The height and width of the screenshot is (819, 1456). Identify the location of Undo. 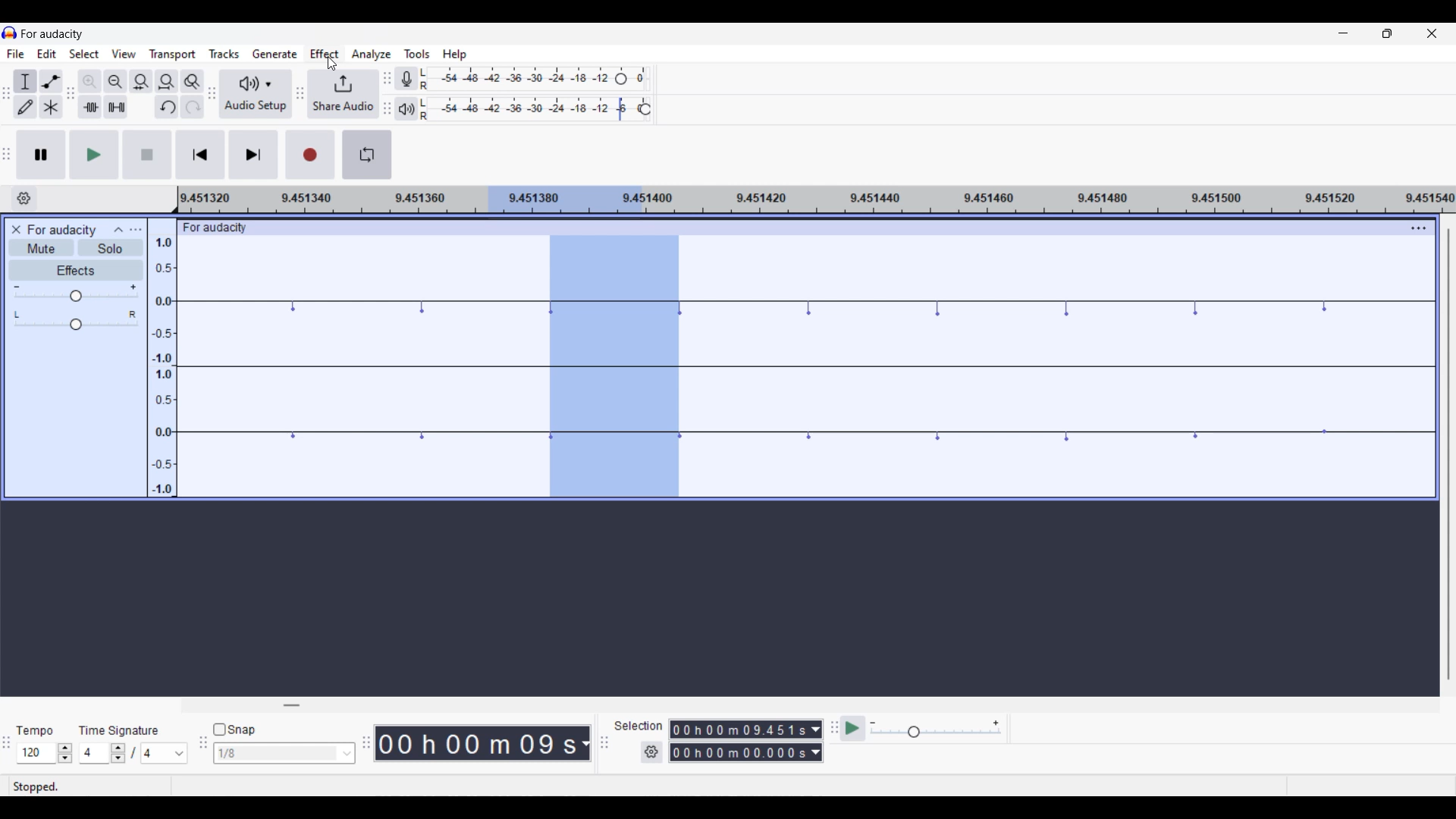
(167, 106).